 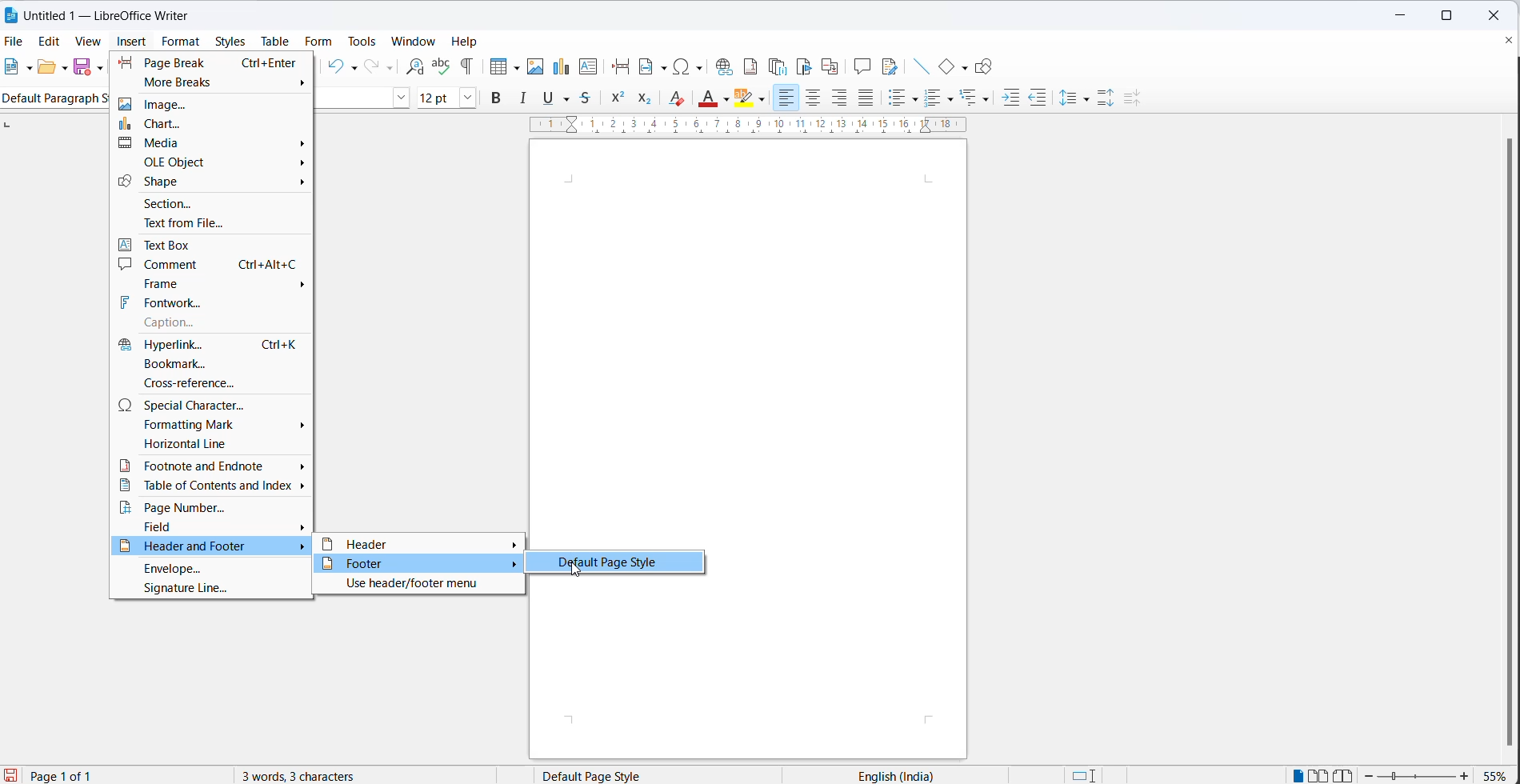 I want to click on form, so click(x=318, y=42).